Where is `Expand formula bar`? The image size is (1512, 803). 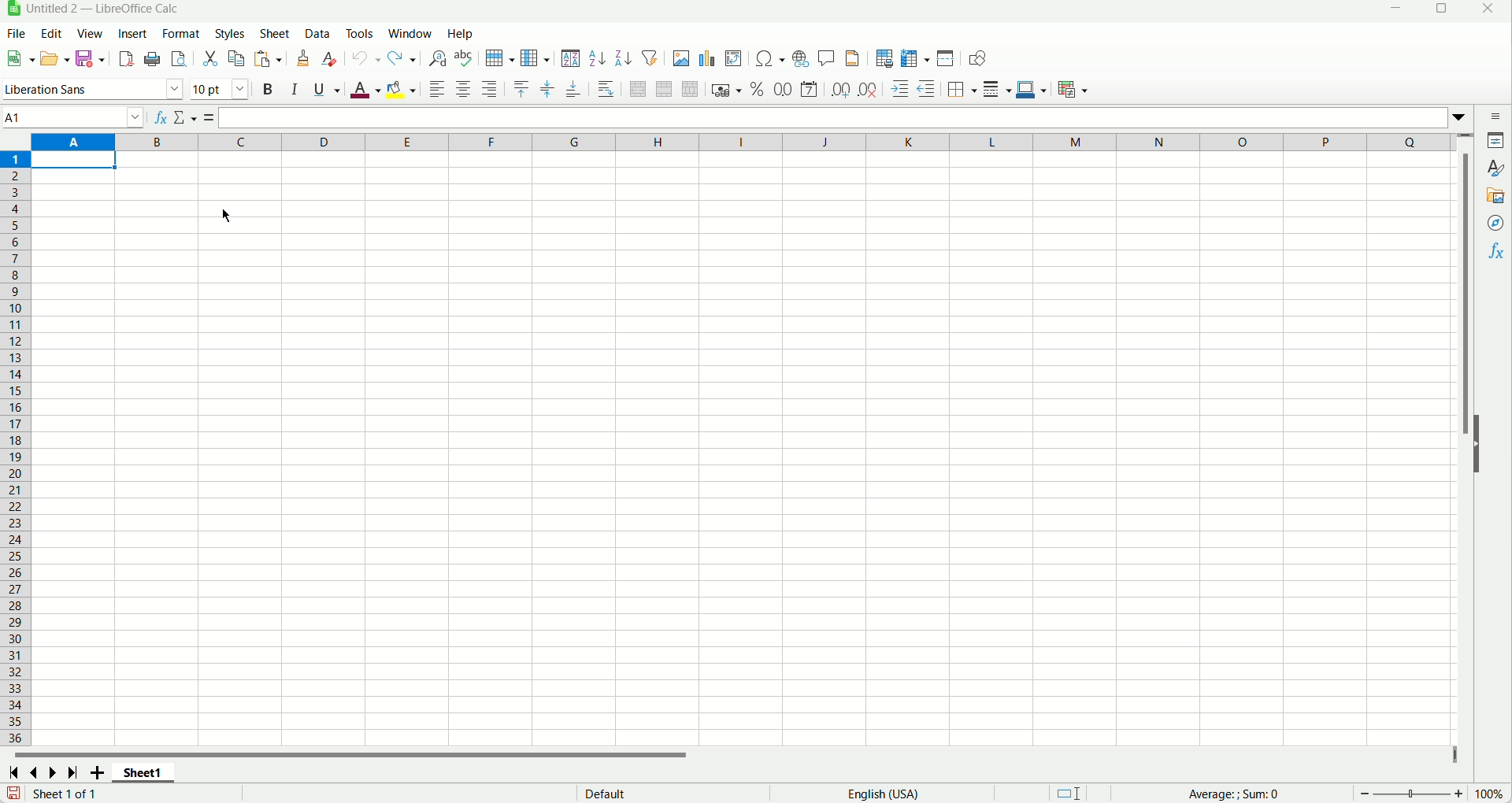 Expand formula bar is located at coordinates (1462, 116).